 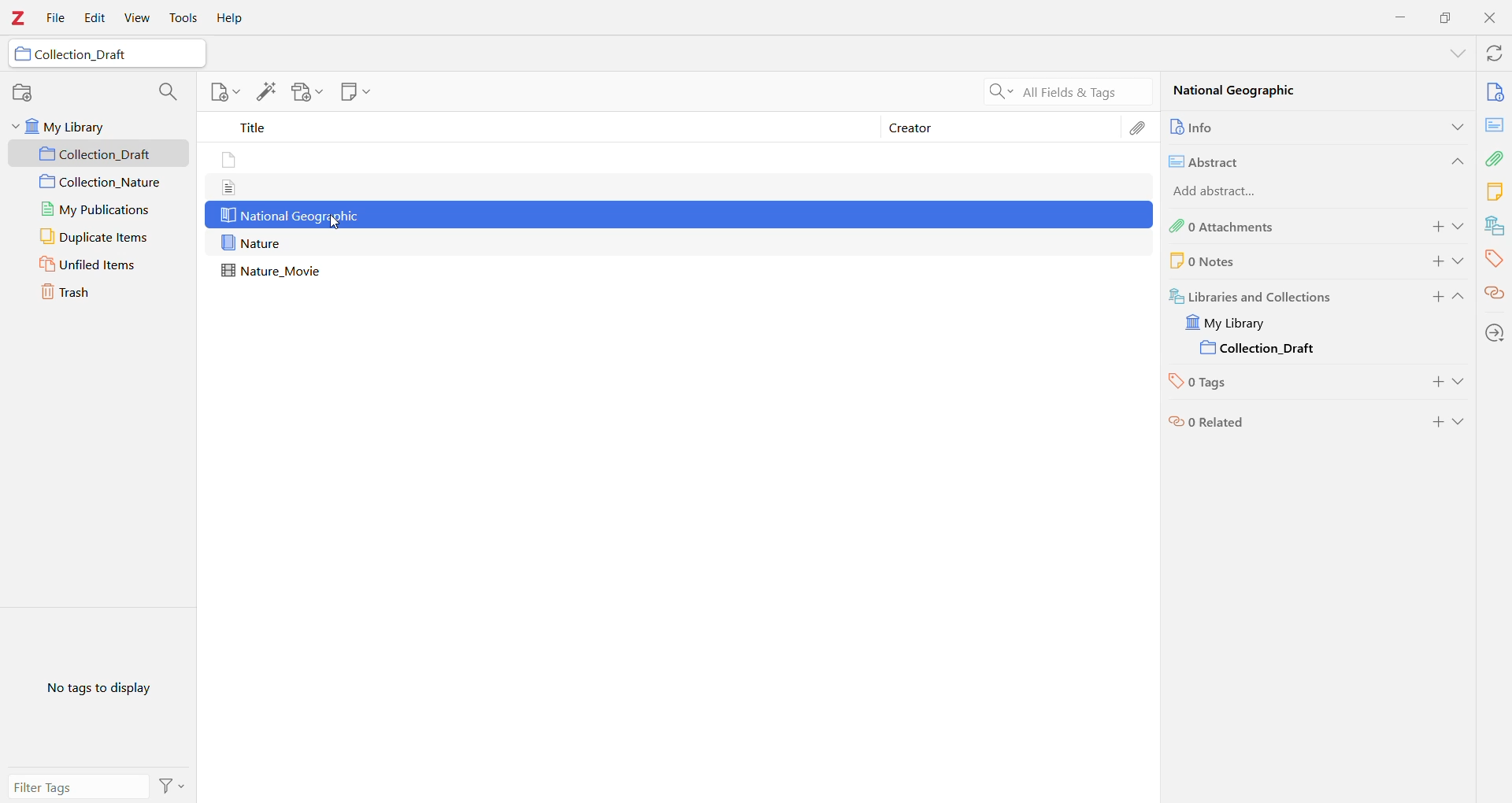 What do you see at coordinates (1460, 261) in the screenshot?
I see `Expand Section` at bounding box center [1460, 261].